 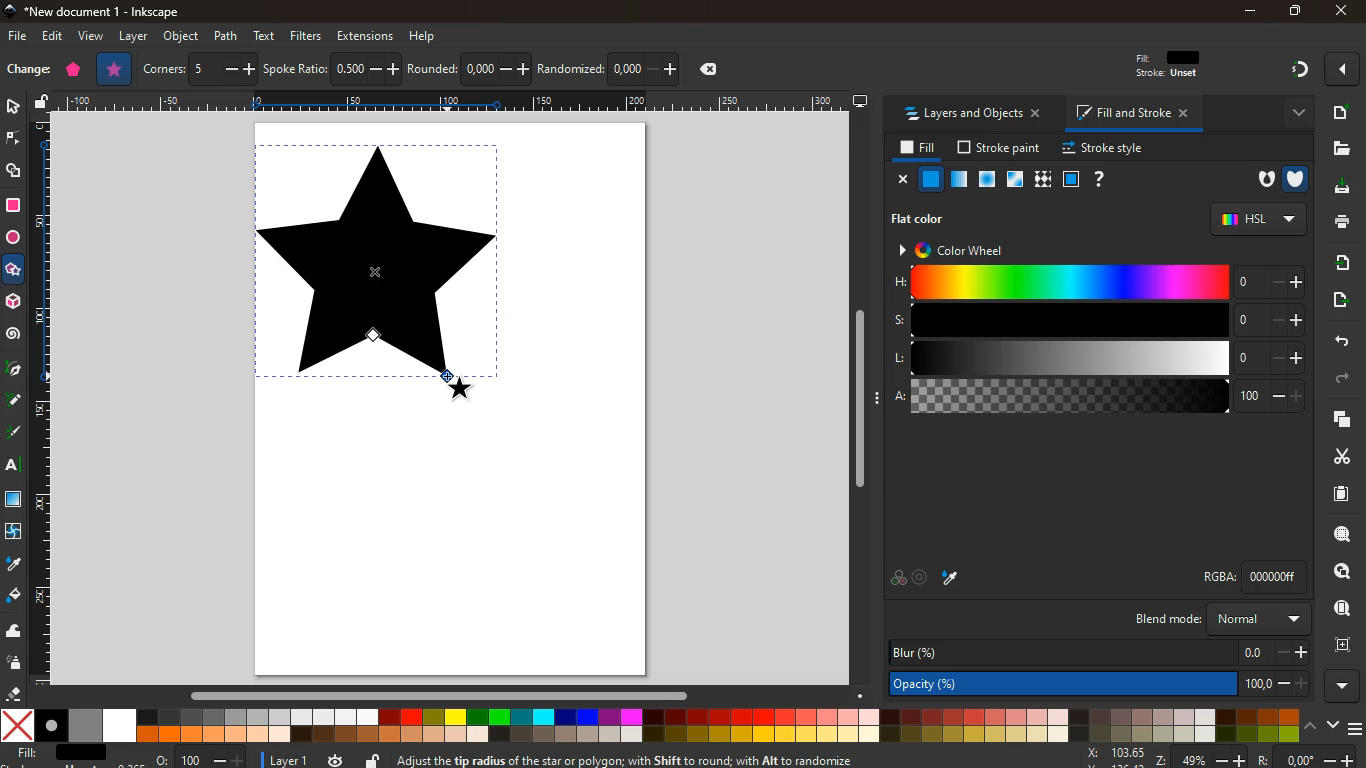 What do you see at coordinates (1290, 114) in the screenshot?
I see `more` at bounding box center [1290, 114].